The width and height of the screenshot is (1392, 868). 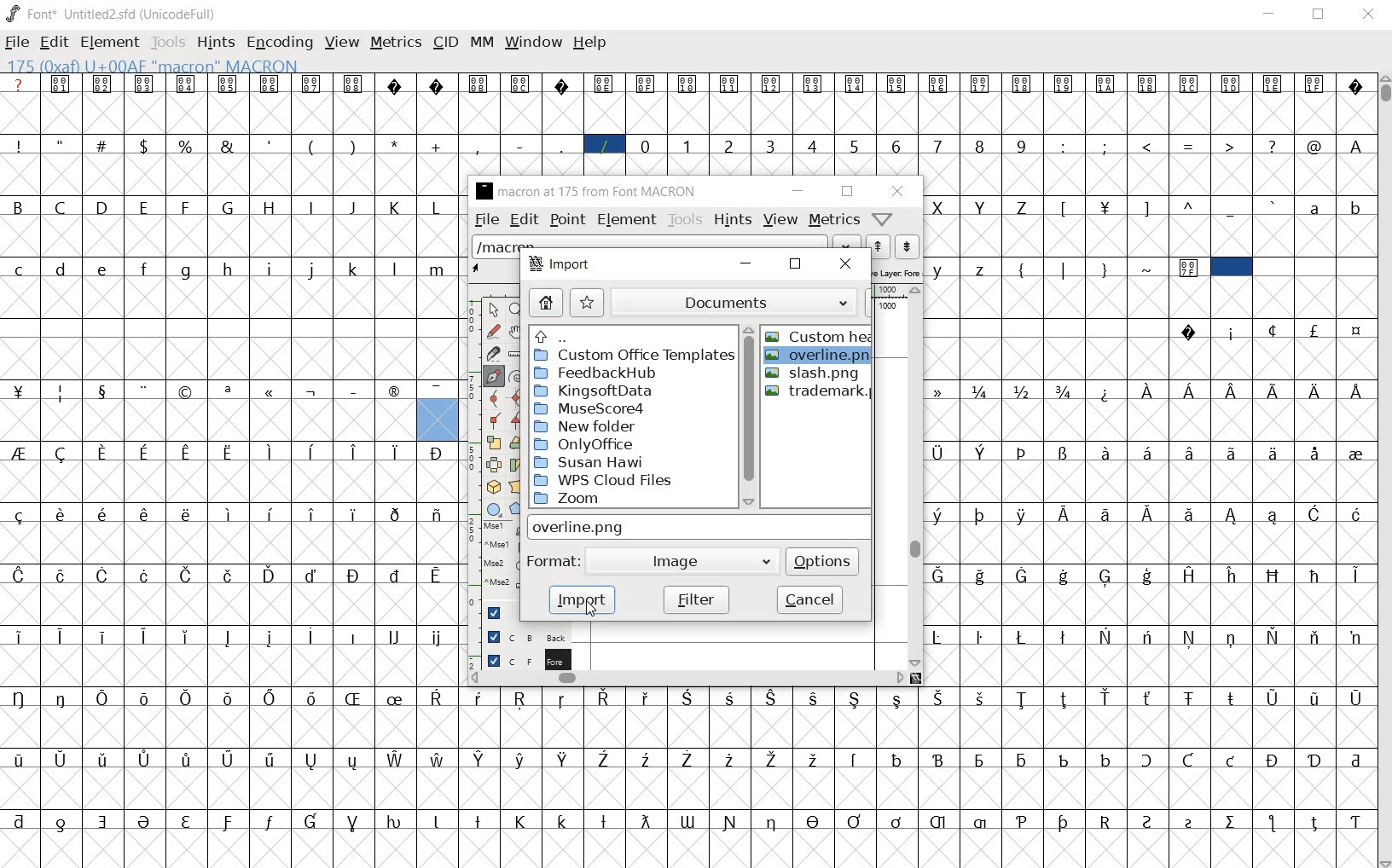 What do you see at coordinates (1106, 205) in the screenshot?
I see `Symbol` at bounding box center [1106, 205].